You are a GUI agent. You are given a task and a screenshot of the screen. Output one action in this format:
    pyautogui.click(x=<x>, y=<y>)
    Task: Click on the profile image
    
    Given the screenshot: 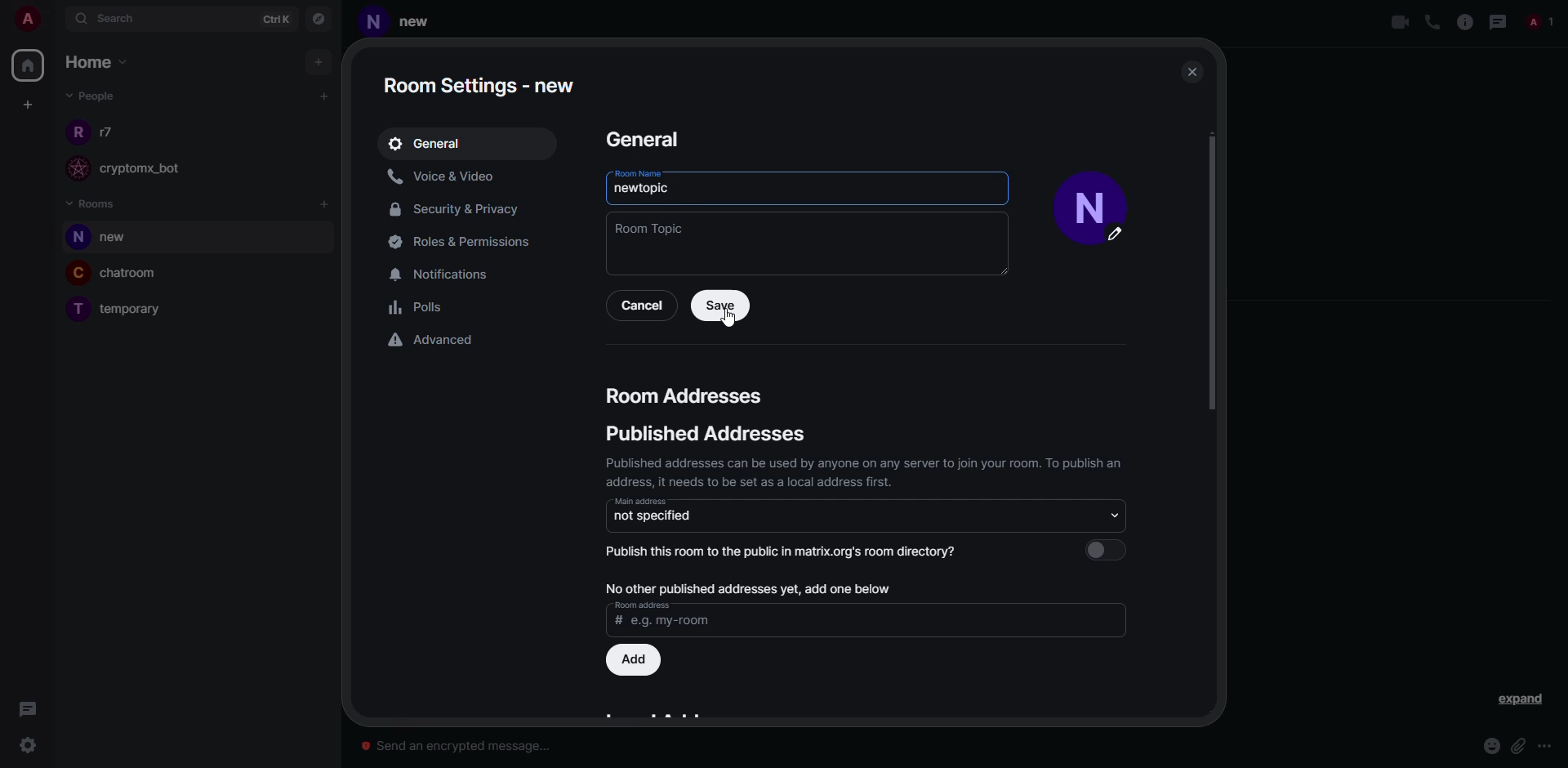 What is the action you would take?
    pyautogui.click(x=75, y=238)
    